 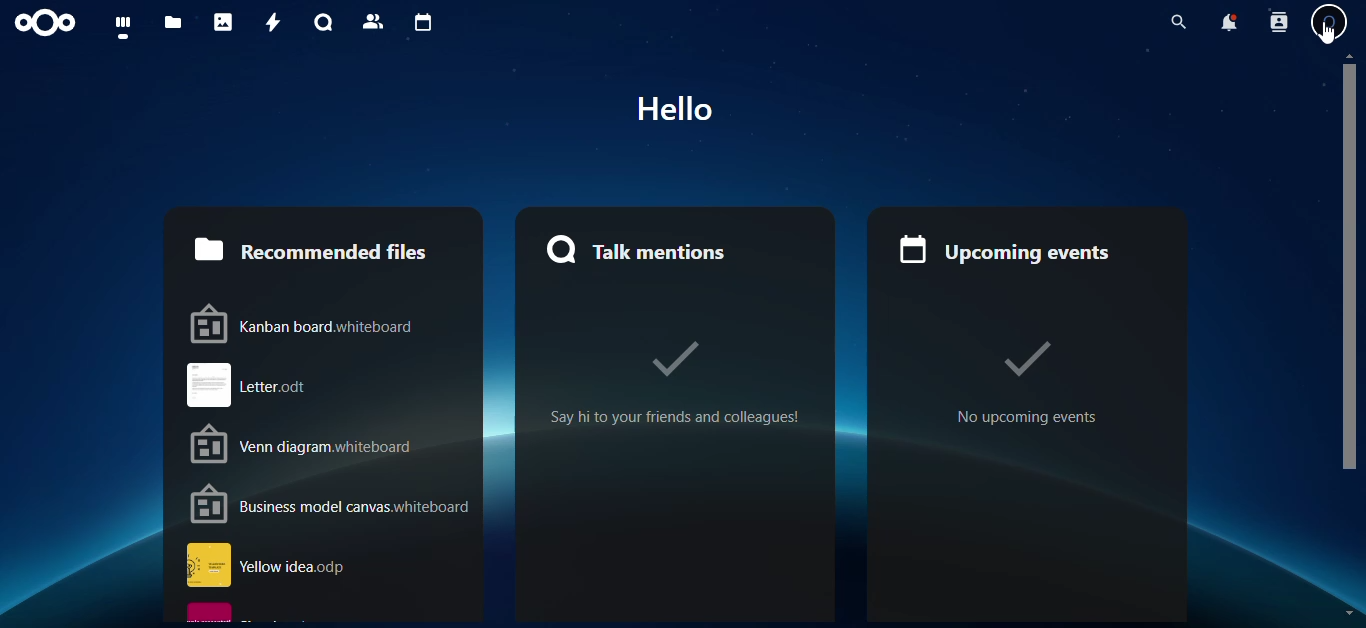 I want to click on Letter.odt, so click(x=331, y=385).